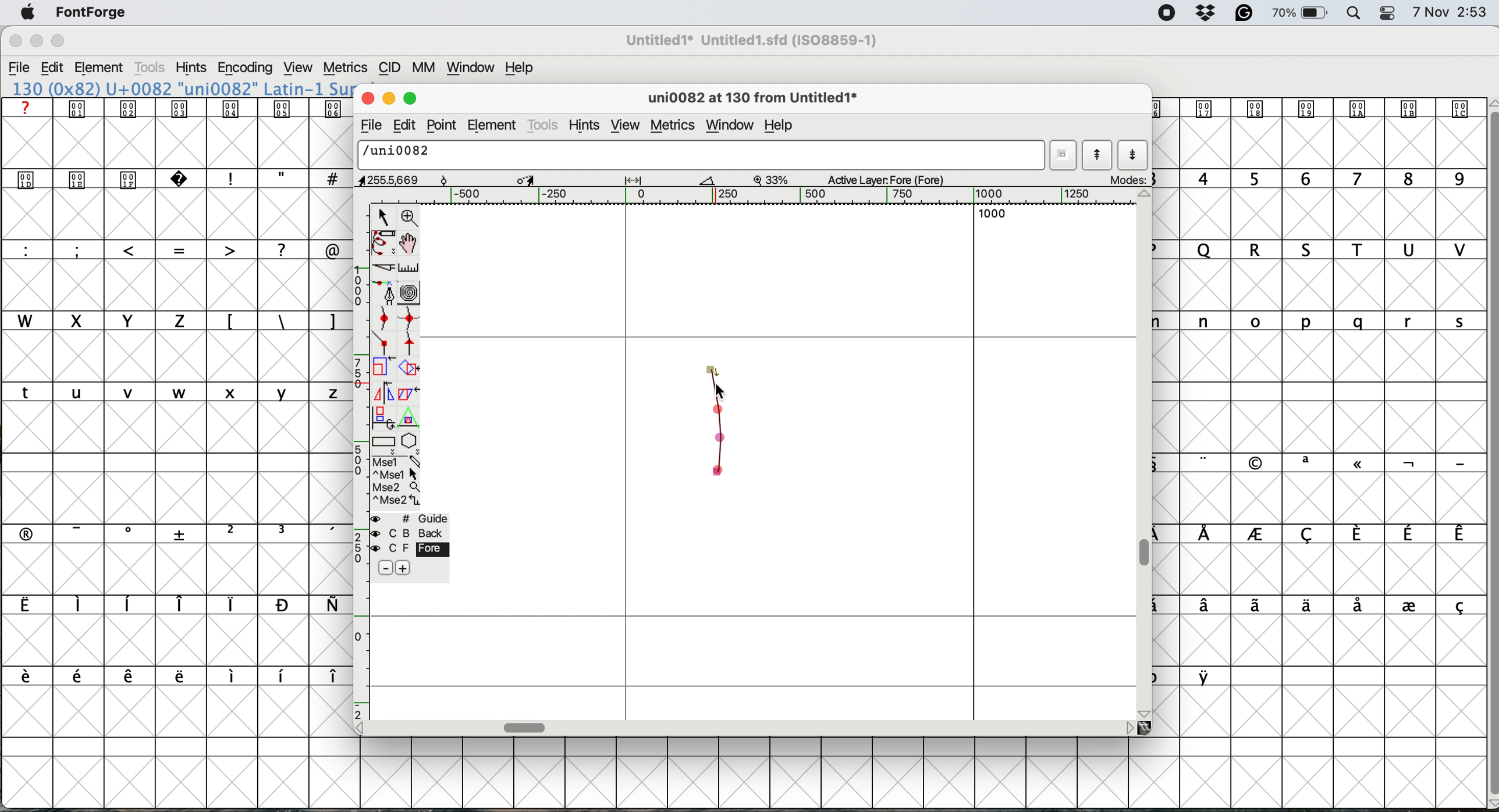 This screenshot has width=1499, height=812. What do you see at coordinates (1132, 156) in the screenshot?
I see `show next letter` at bounding box center [1132, 156].